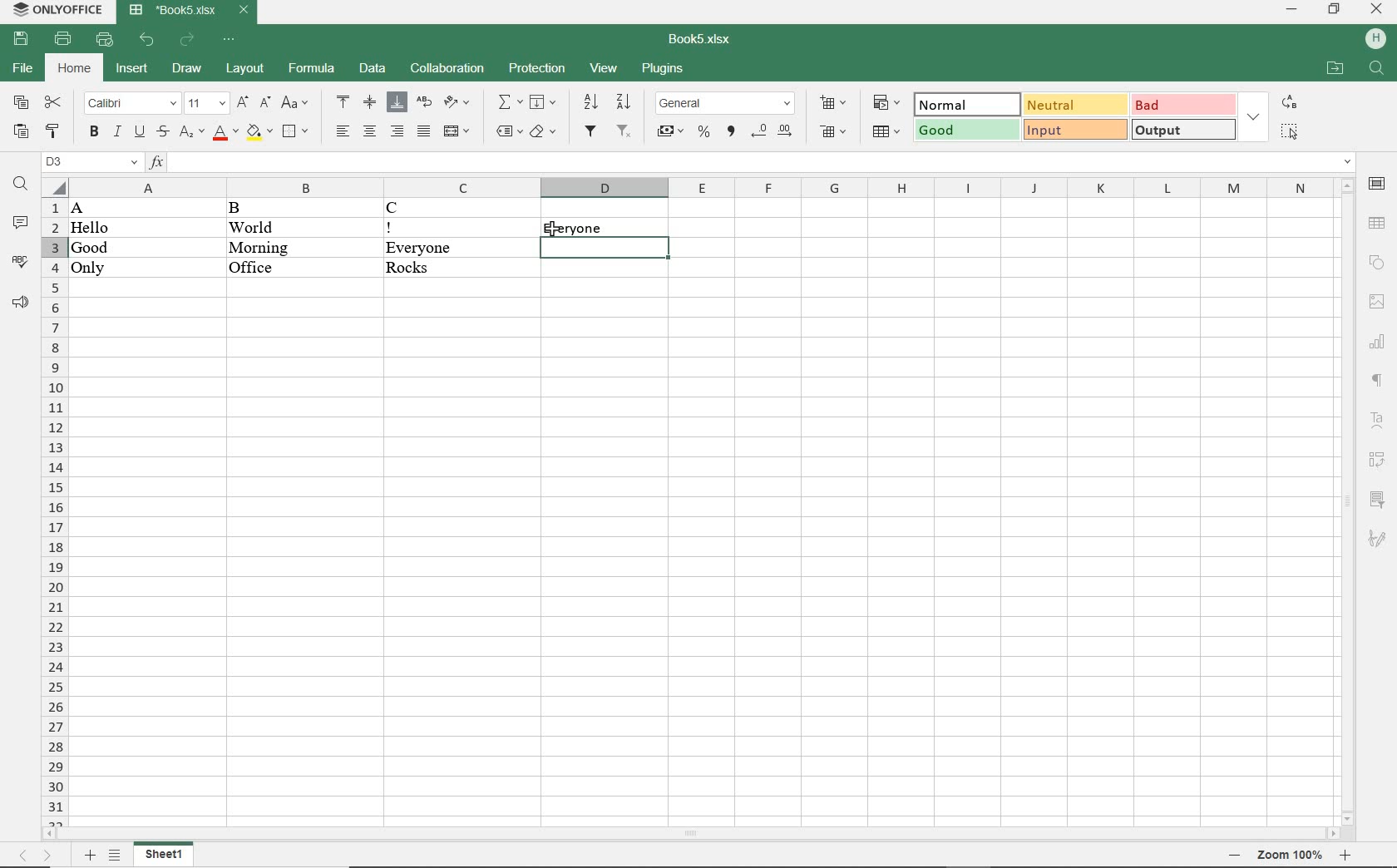  Describe the element at coordinates (369, 131) in the screenshot. I see `align center` at that location.